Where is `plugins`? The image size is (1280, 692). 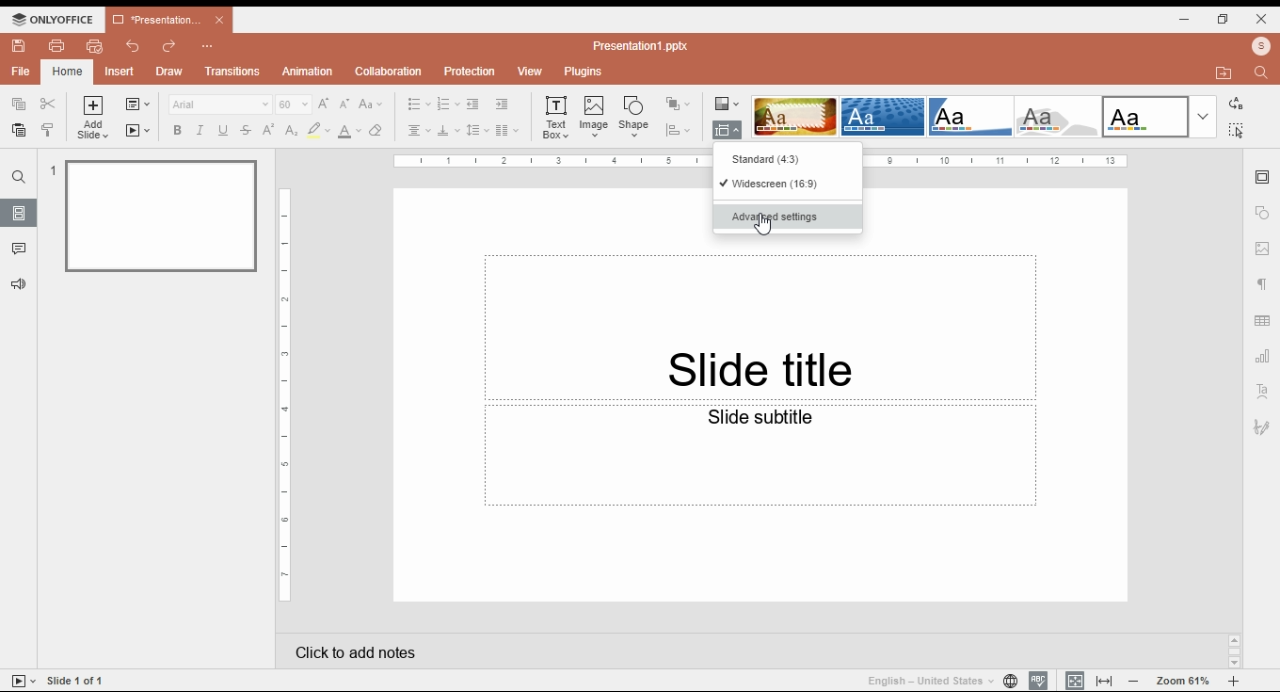
plugins is located at coordinates (584, 72).